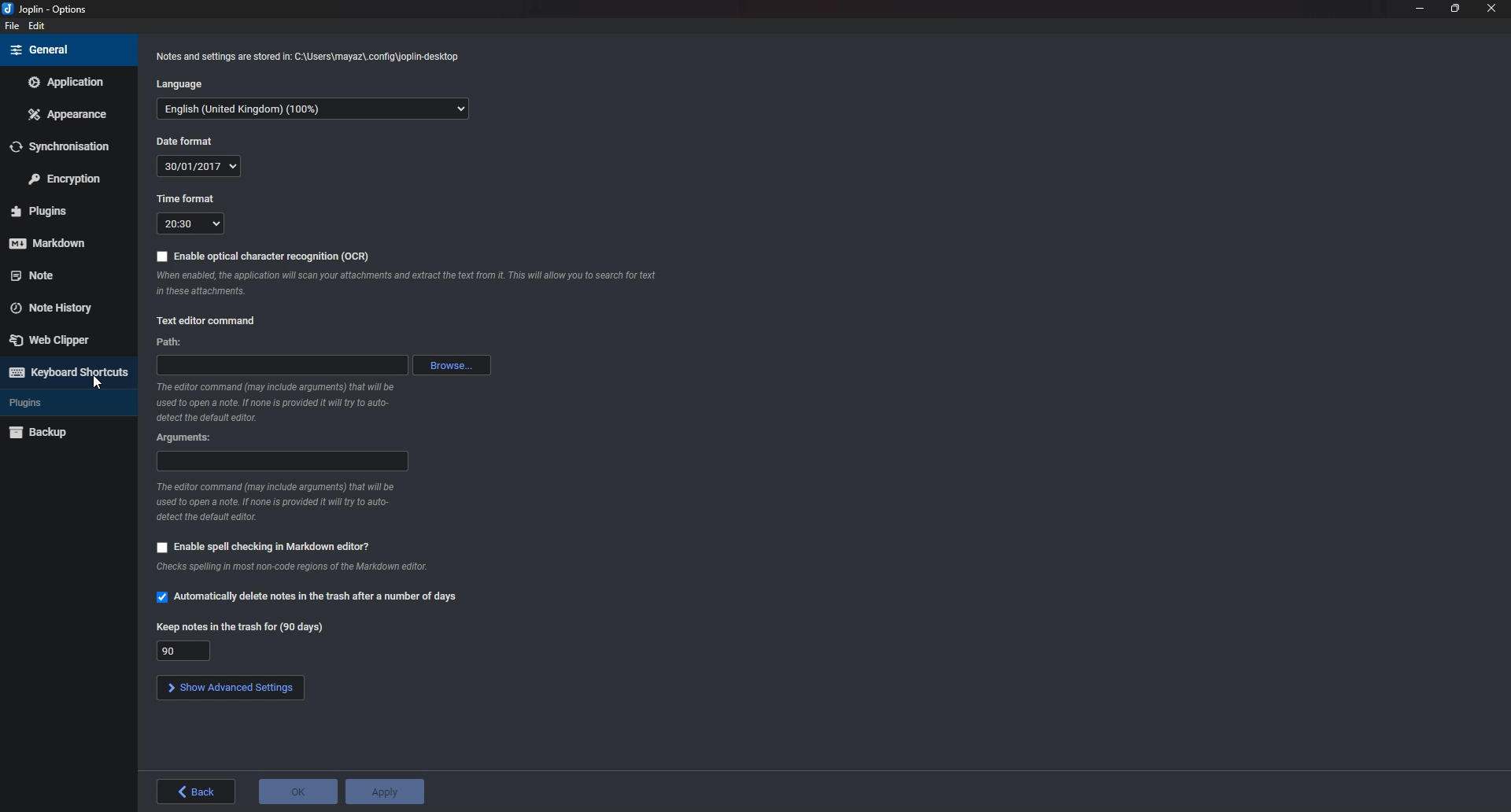 This screenshot has width=1511, height=812. What do you see at coordinates (57, 403) in the screenshot?
I see `Plugins` at bounding box center [57, 403].